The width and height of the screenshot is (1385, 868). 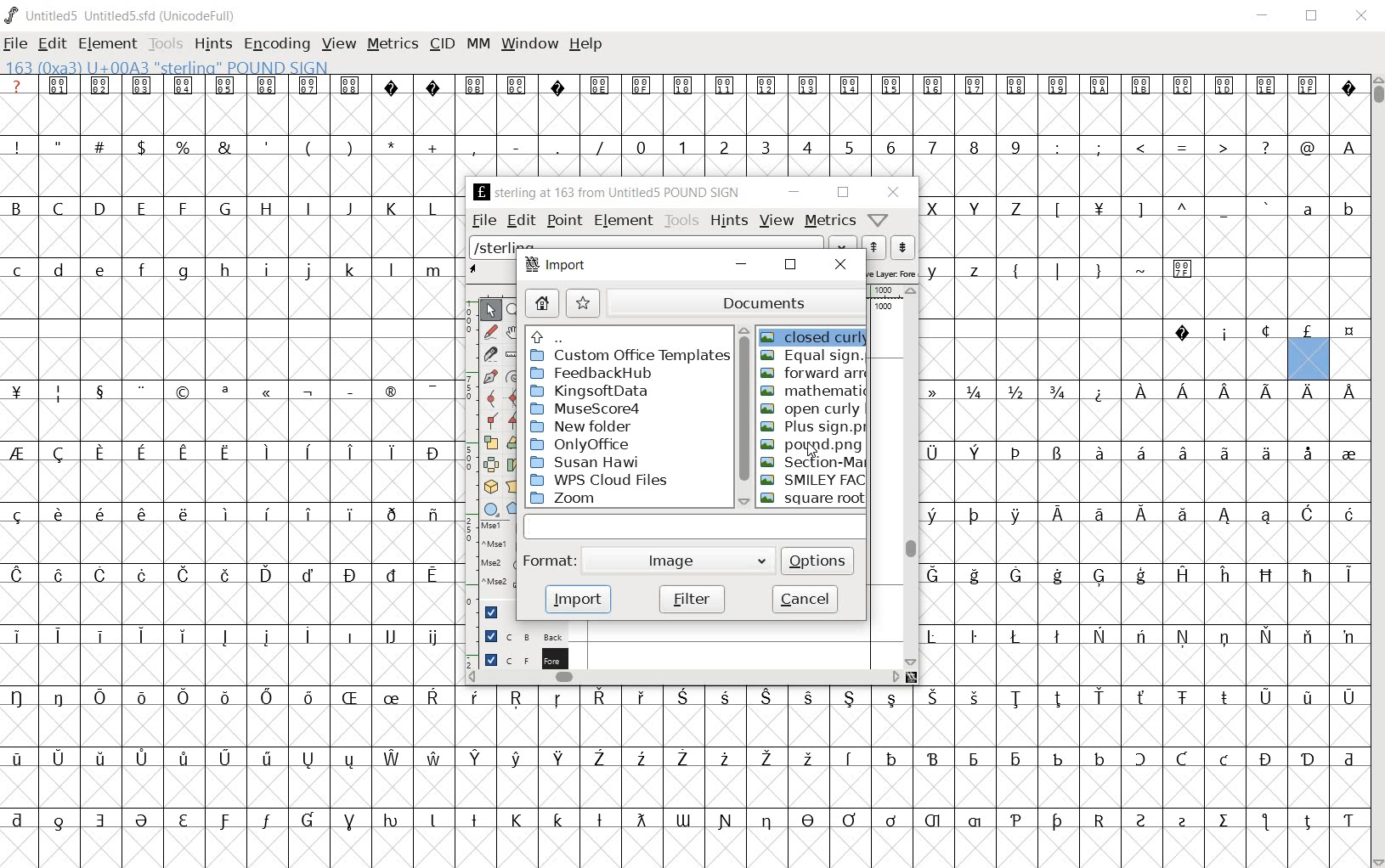 I want to click on Symbol, so click(x=644, y=86).